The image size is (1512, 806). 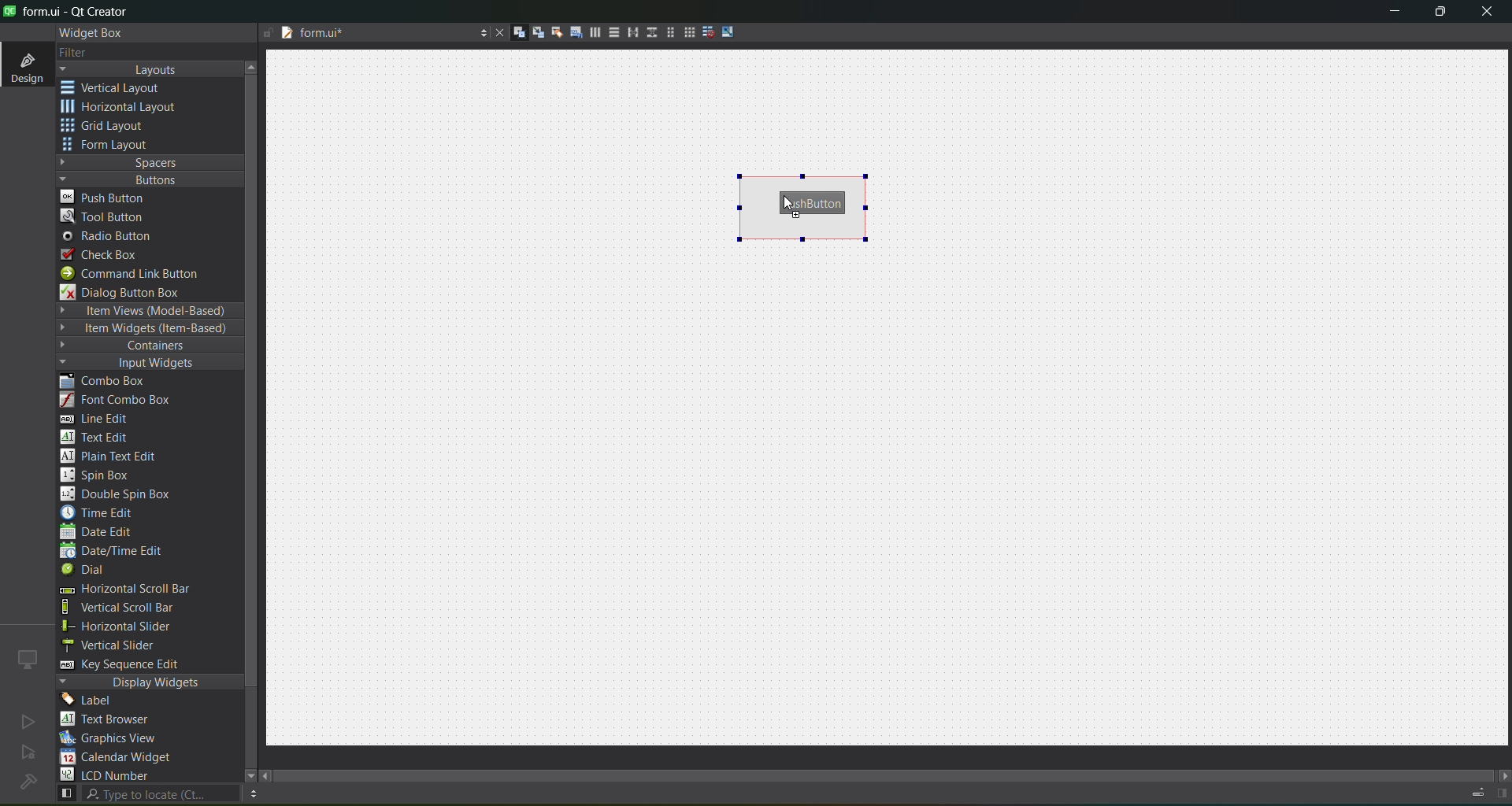 What do you see at coordinates (114, 720) in the screenshot?
I see `text` at bounding box center [114, 720].